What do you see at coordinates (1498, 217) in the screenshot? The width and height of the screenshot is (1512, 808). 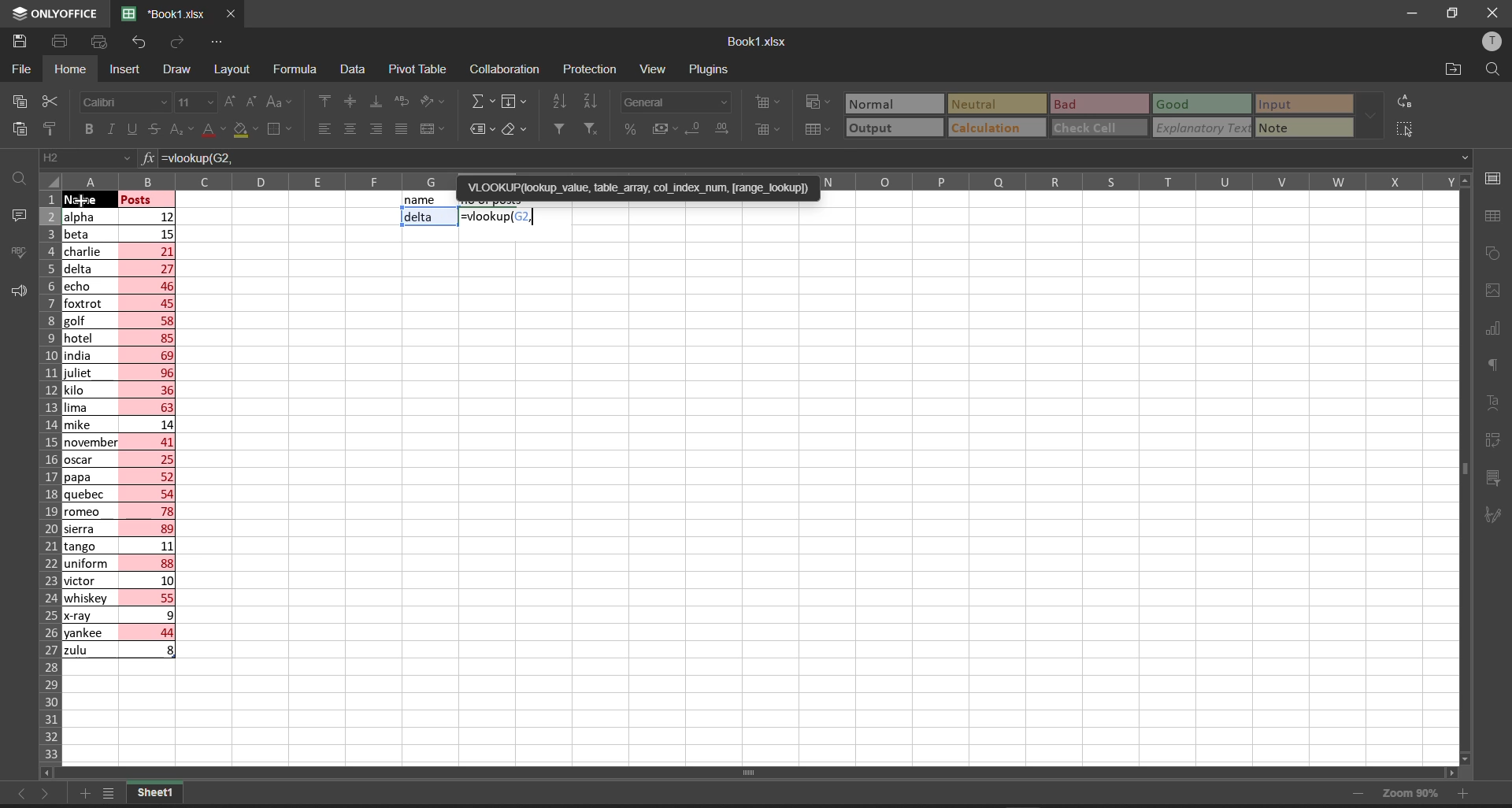 I see `table settings` at bounding box center [1498, 217].